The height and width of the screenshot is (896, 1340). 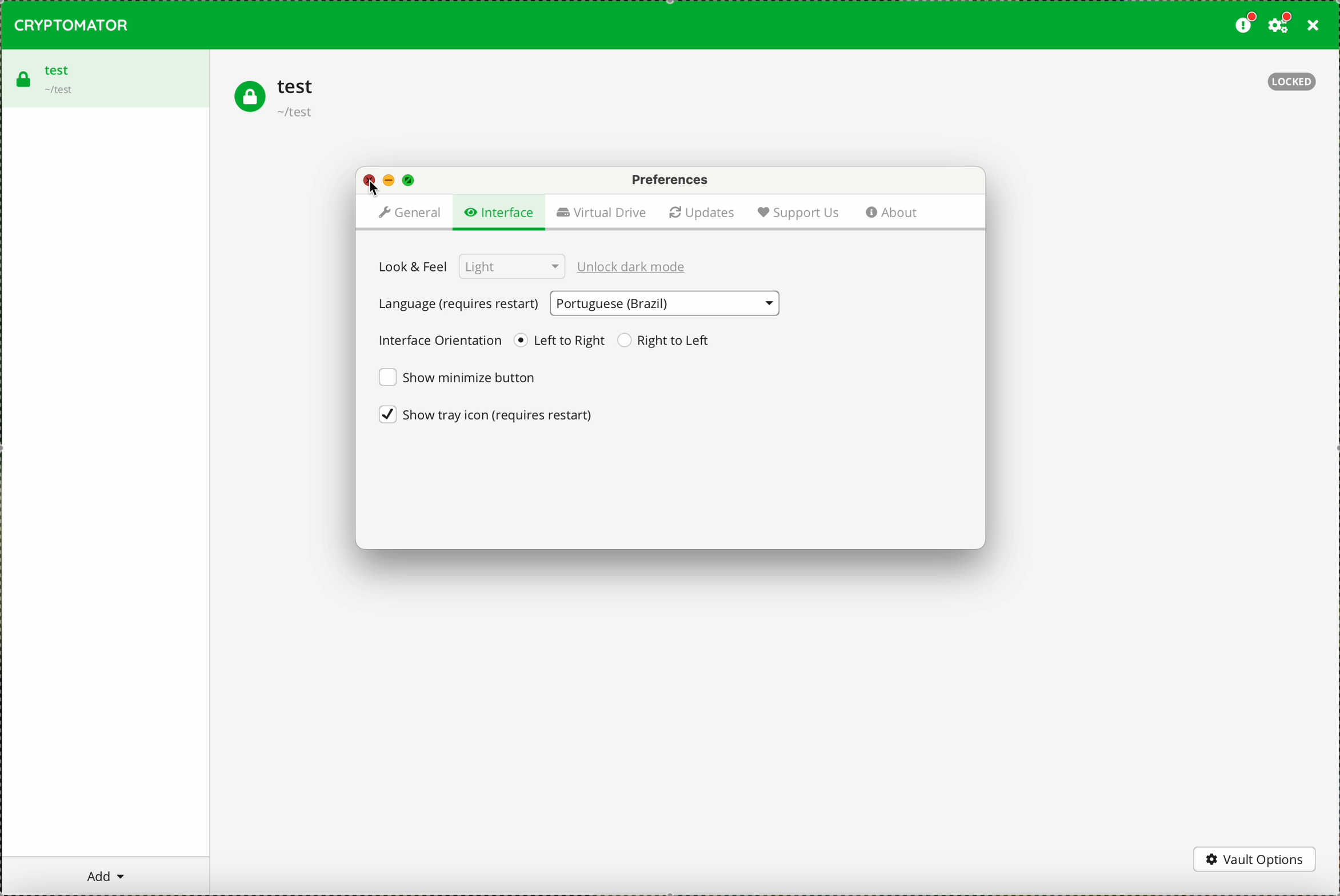 I want to click on right to left, so click(x=666, y=341).